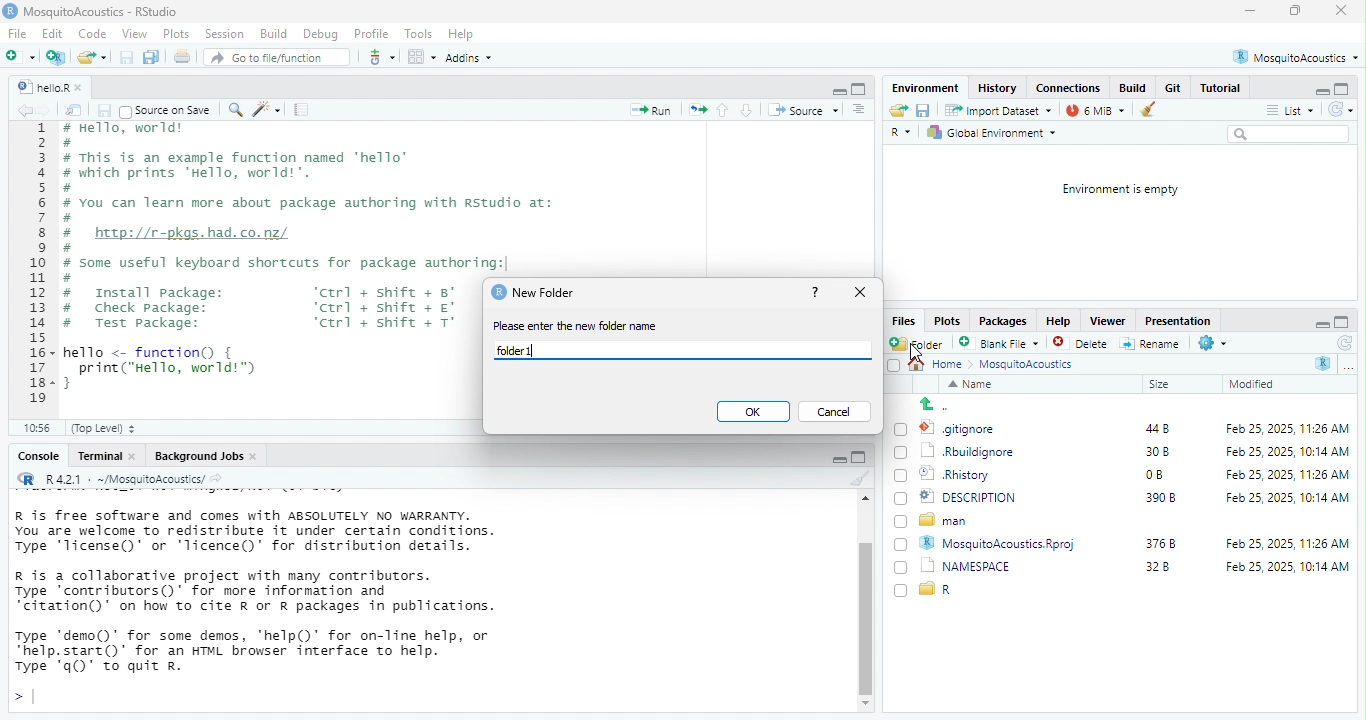 Image resolution: width=1366 pixels, height=720 pixels. Describe the element at coordinates (1321, 364) in the screenshot. I see `r studio logo` at that location.